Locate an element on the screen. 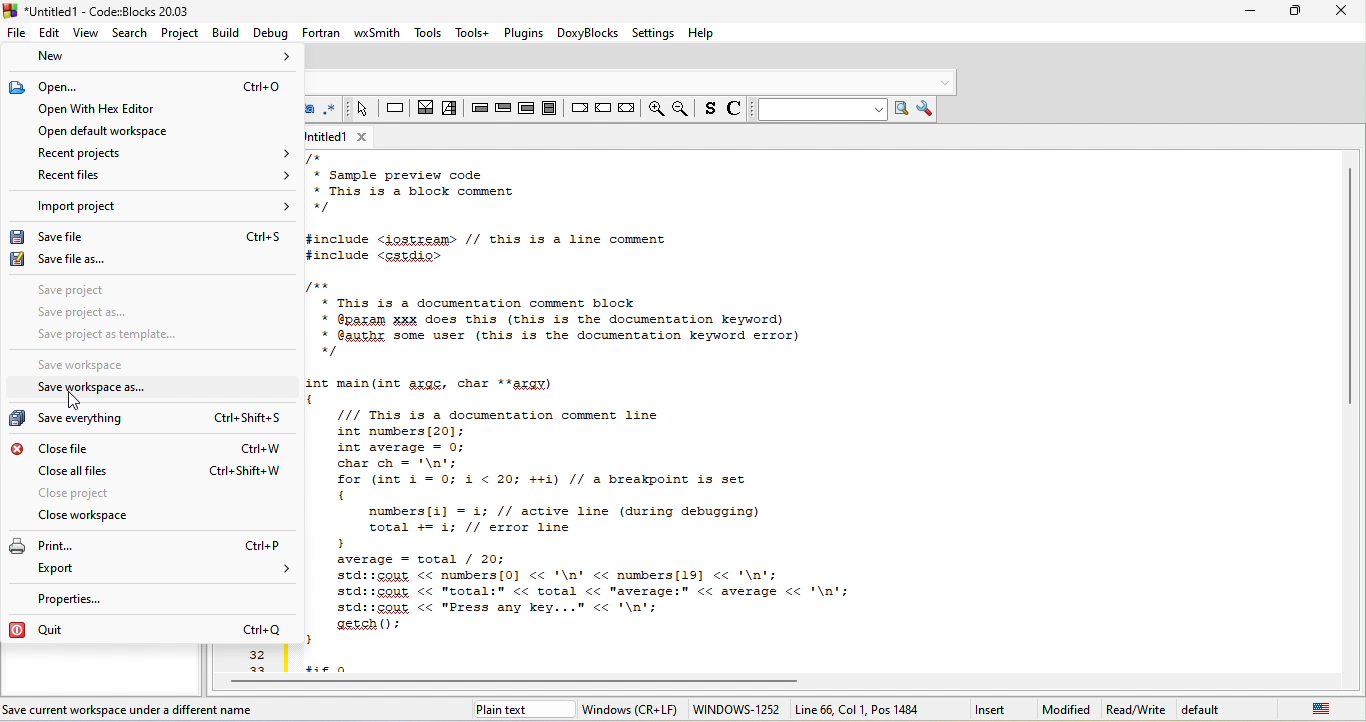 The image size is (1366, 722). search to text is located at coordinates (819, 111).